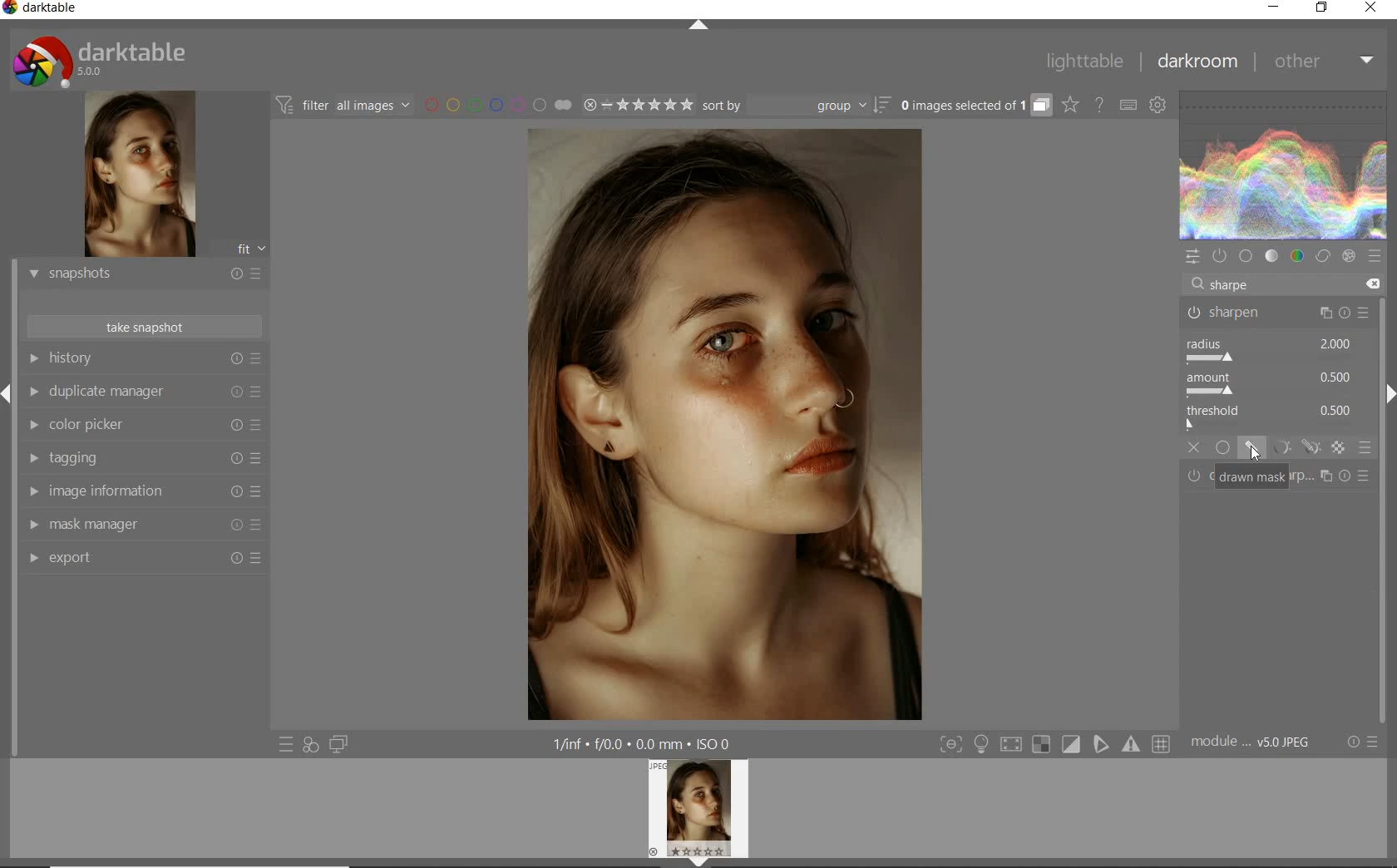 Image resolution: width=1397 pixels, height=868 pixels. I want to click on tone, so click(1272, 256).